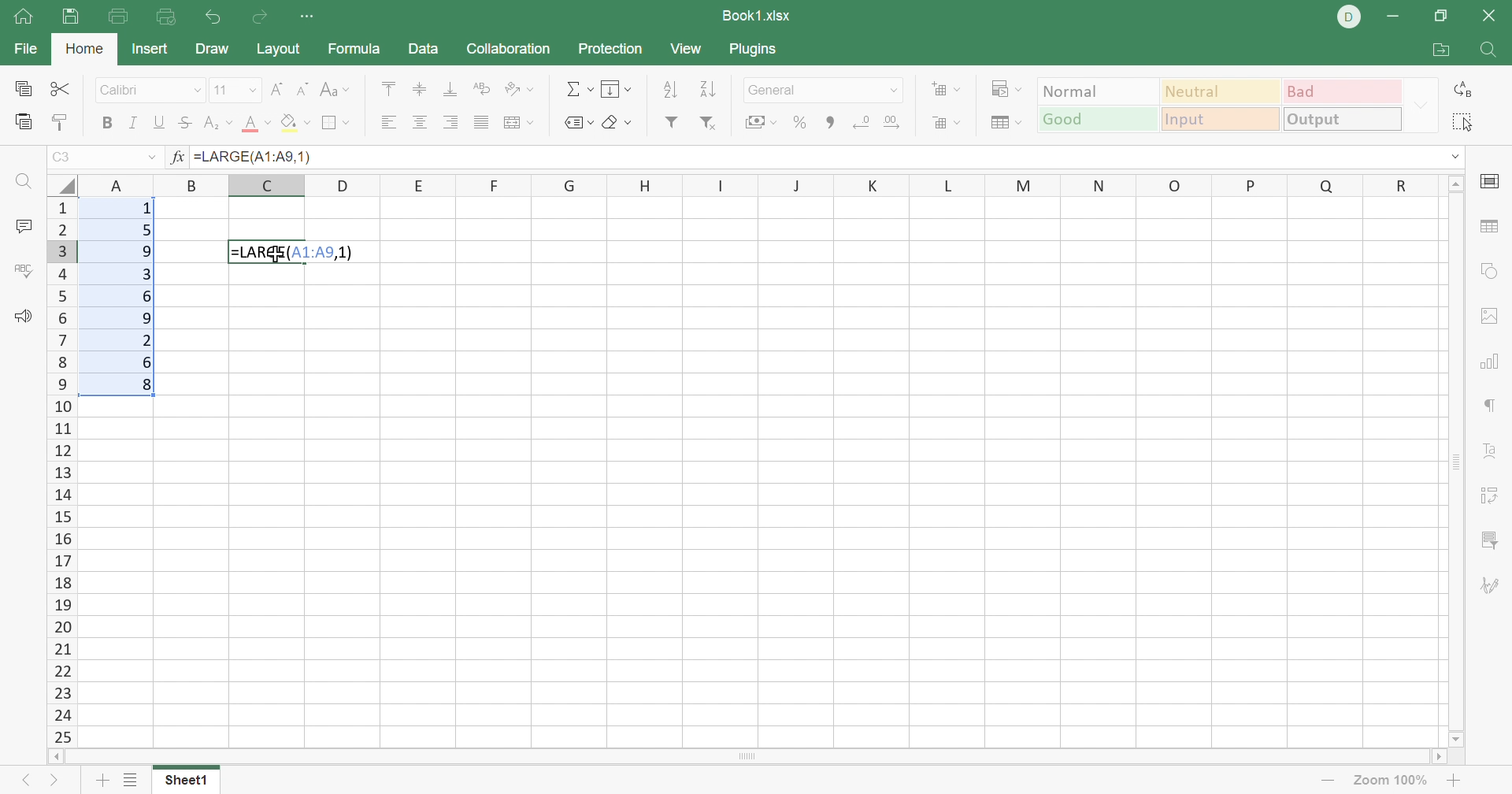 Image resolution: width=1512 pixels, height=794 pixels. I want to click on View, so click(687, 51).